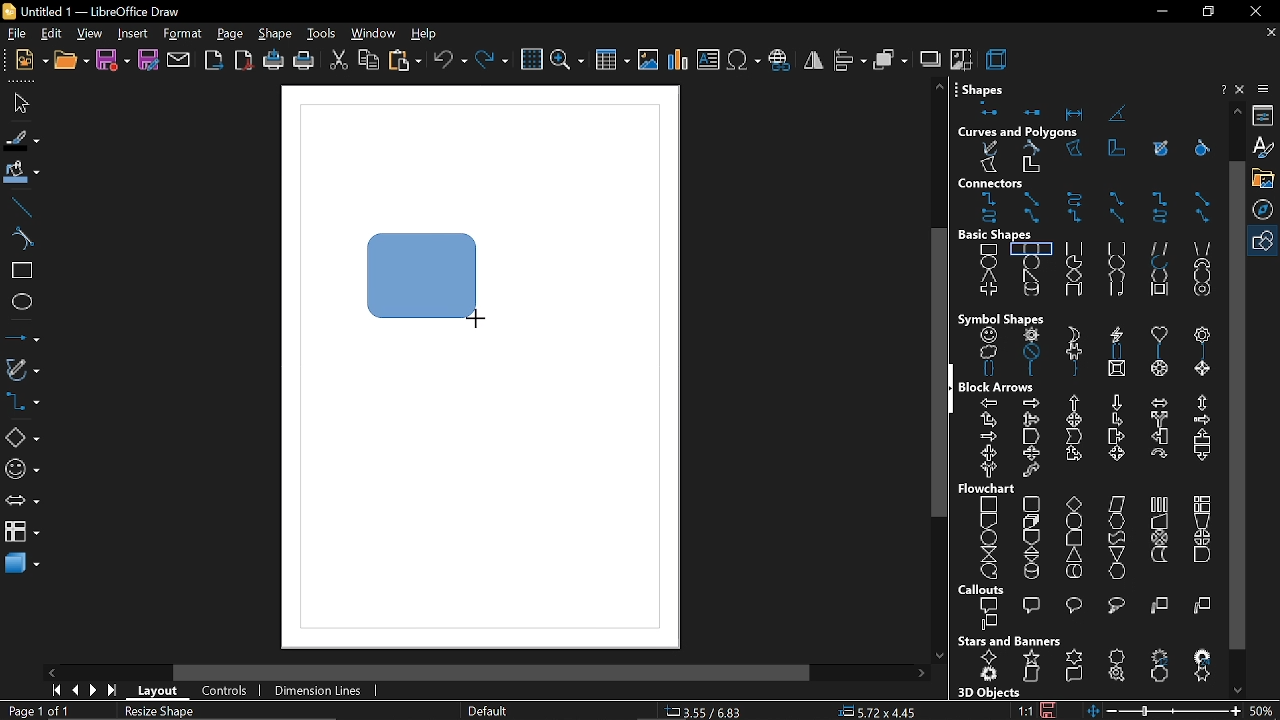  I want to click on curves and polygons, so click(1019, 133).